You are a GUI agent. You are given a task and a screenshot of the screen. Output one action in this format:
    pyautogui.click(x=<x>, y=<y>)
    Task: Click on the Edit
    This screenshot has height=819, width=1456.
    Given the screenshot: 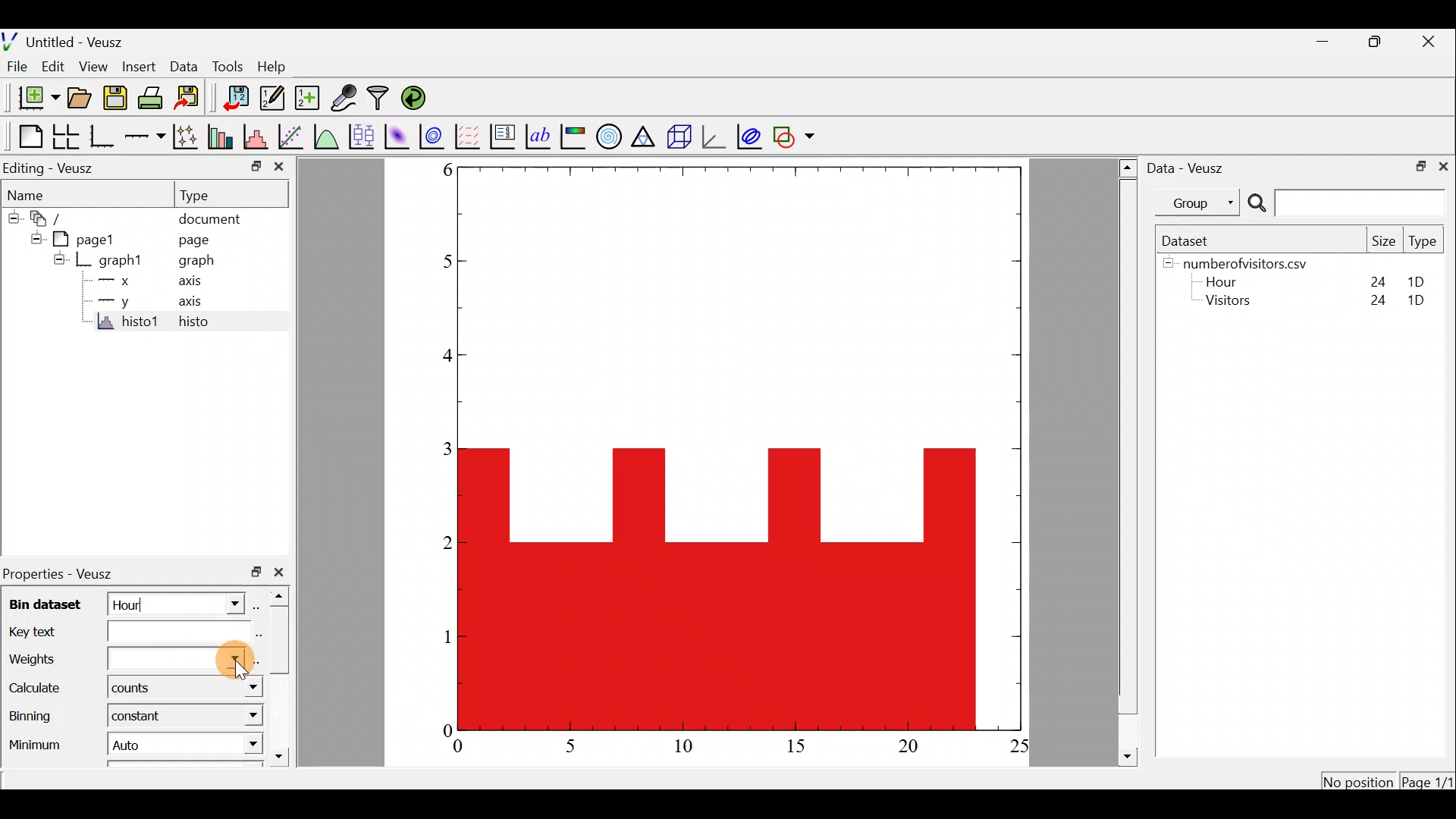 What is the action you would take?
    pyautogui.click(x=55, y=67)
    